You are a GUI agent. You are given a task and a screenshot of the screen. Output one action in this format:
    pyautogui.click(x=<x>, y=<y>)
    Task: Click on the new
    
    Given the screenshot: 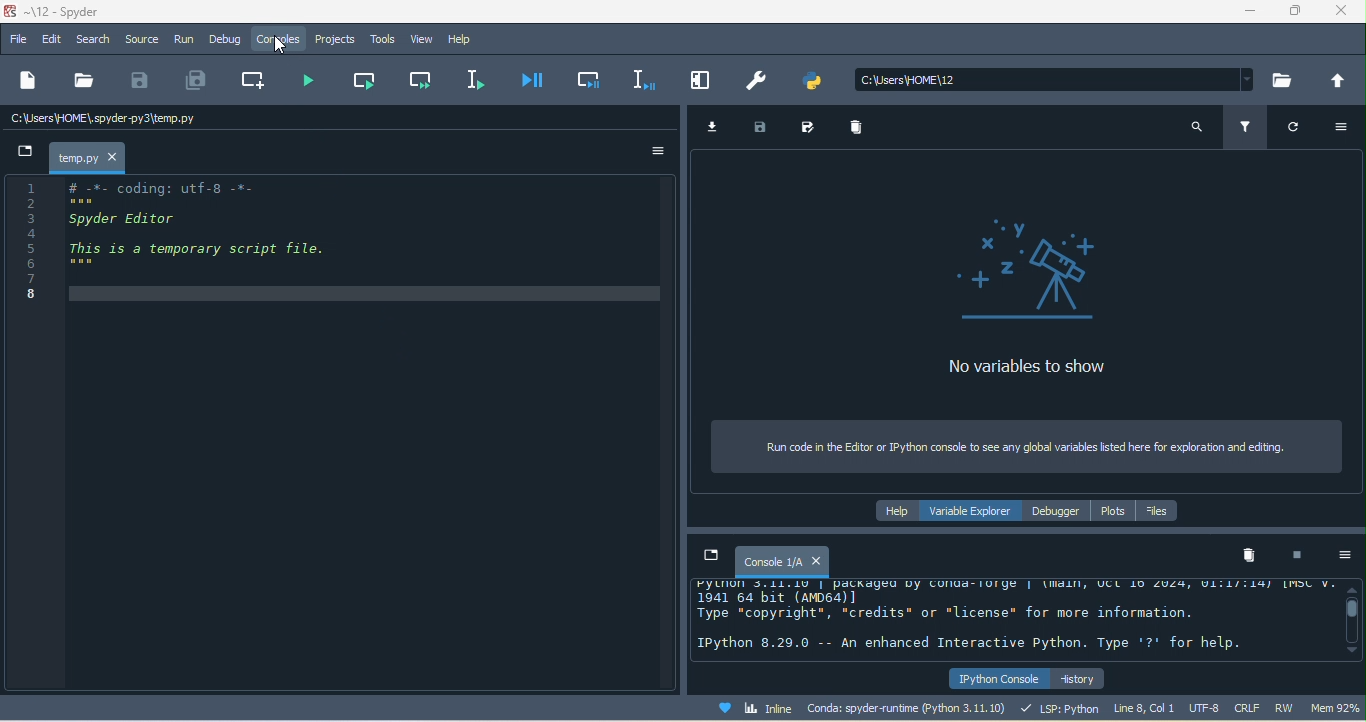 What is the action you would take?
    pyautogui.click(x=29, y=83)
    